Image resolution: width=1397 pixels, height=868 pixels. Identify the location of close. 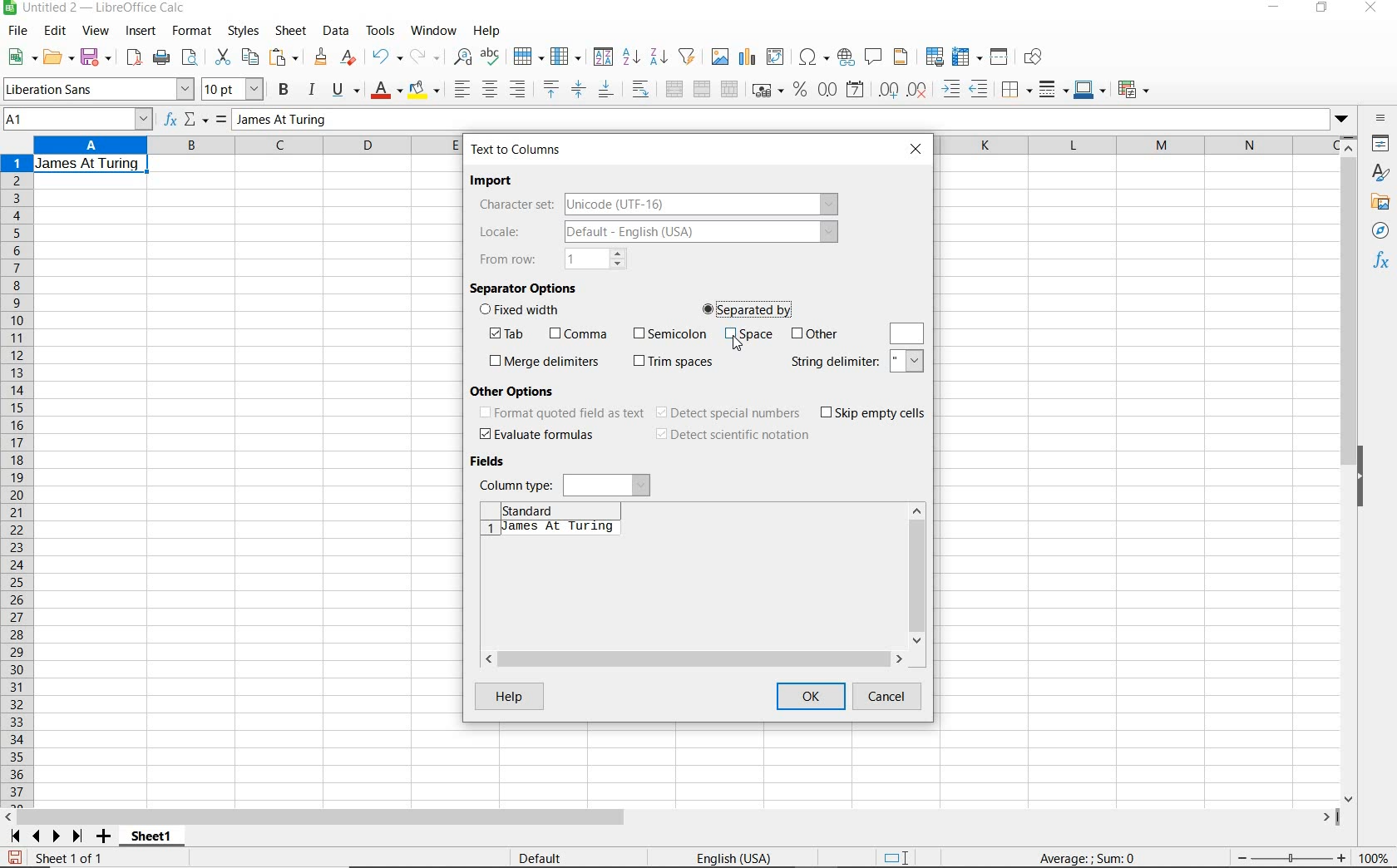
(1374, 8).